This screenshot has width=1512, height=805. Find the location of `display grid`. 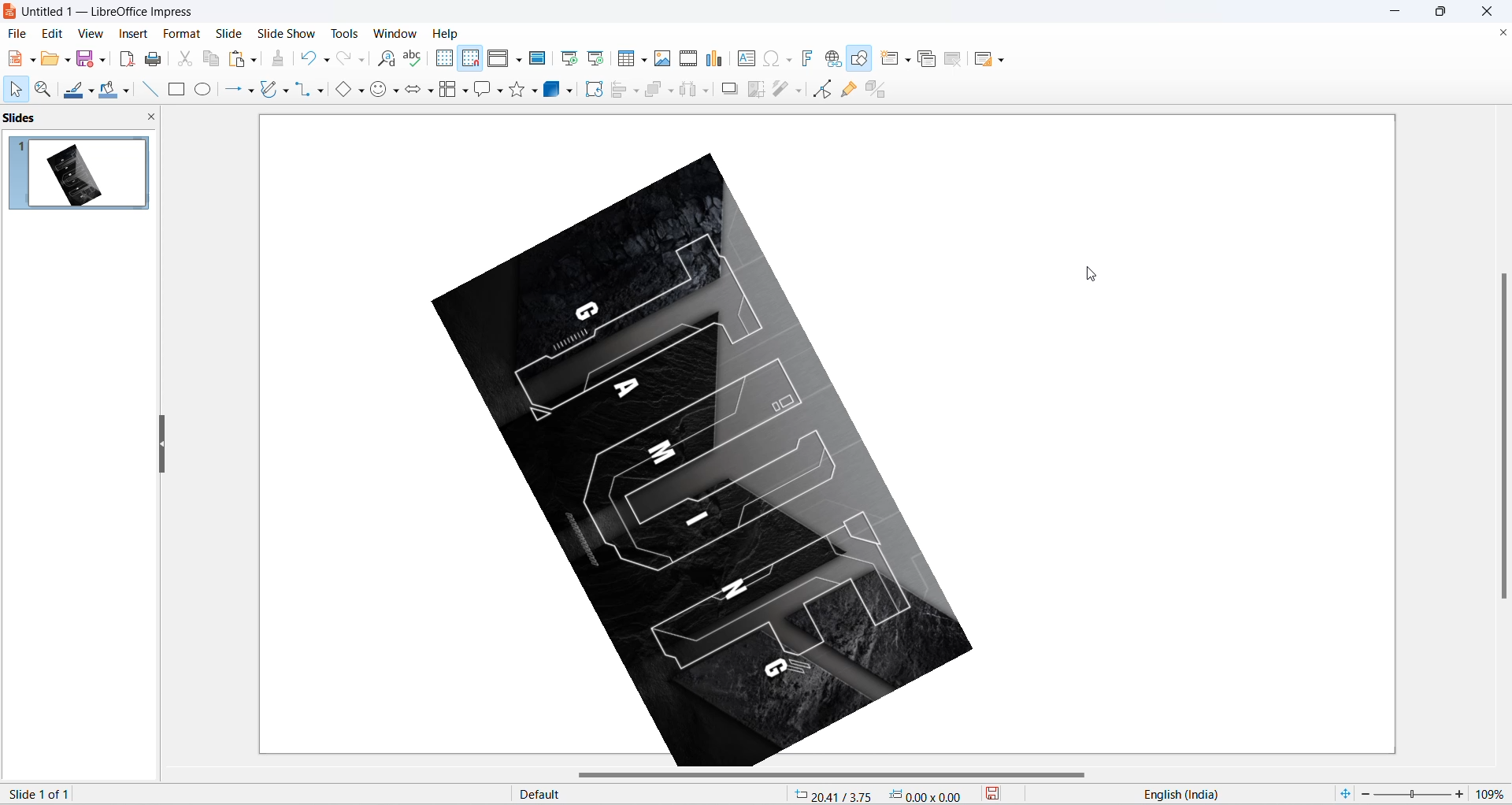

display grid is located at coordinates (443, 57).